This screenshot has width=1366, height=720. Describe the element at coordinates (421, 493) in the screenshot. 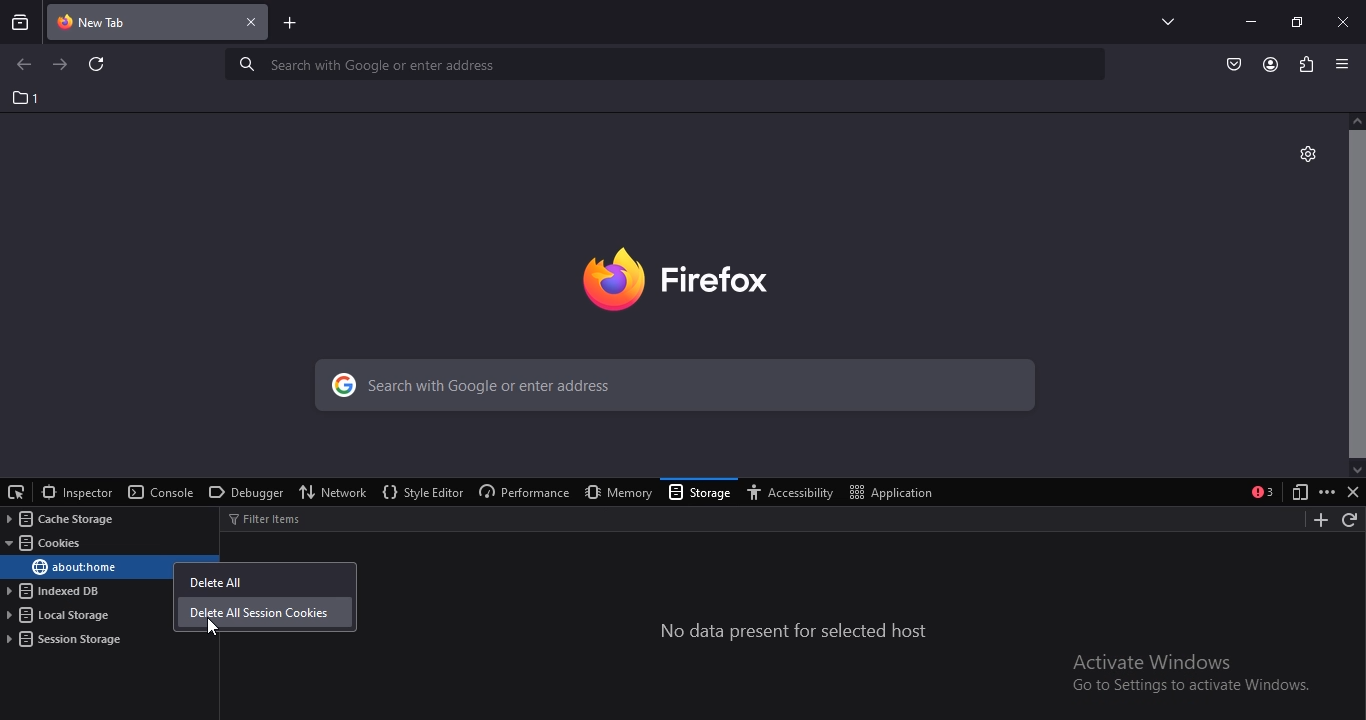

I see `style editor` at that location.